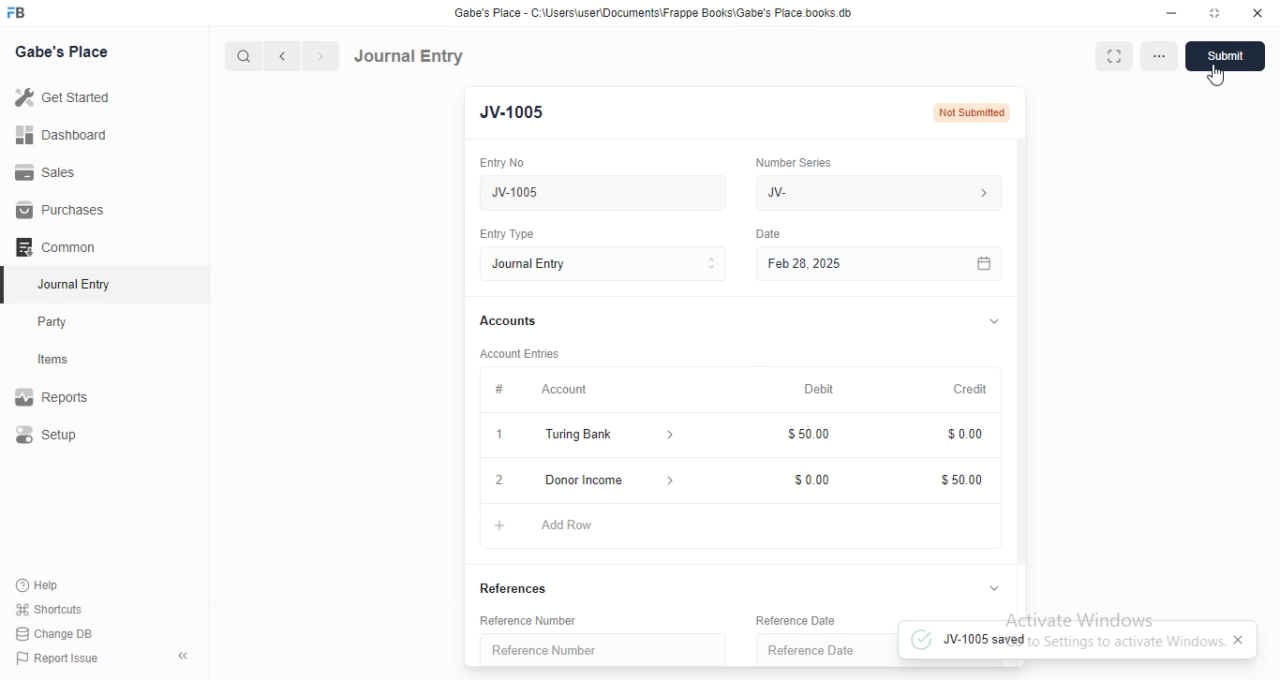 The image size is (1280, 680). What do you see at coordinates (919, 641) in the screenshot?
I see `tick mark` at bounding box center [919, 641].